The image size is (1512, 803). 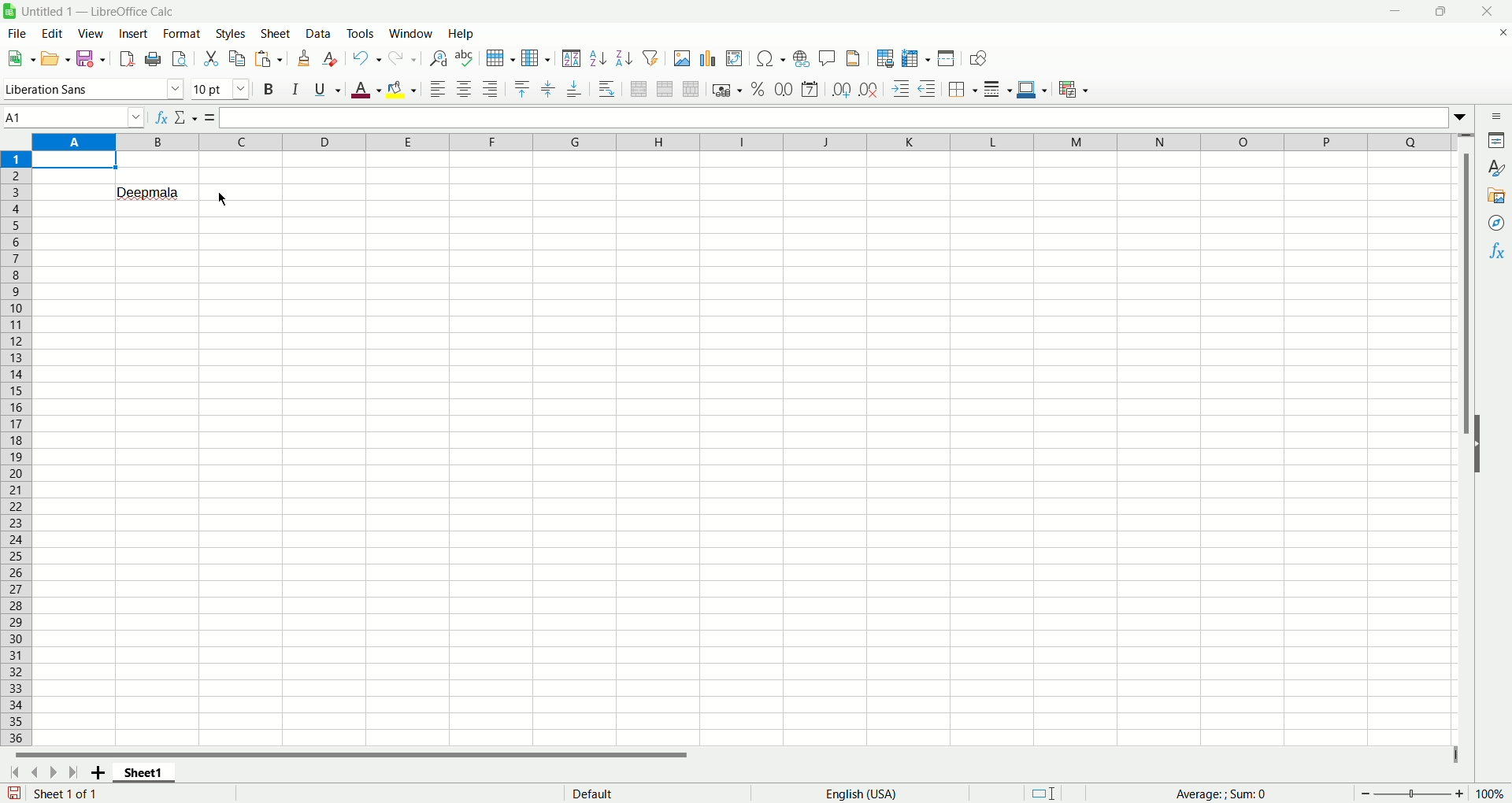 What do you see at coordinates (536, 58) in the screenshot?
I see `Column` at bounding box center [536, 58].